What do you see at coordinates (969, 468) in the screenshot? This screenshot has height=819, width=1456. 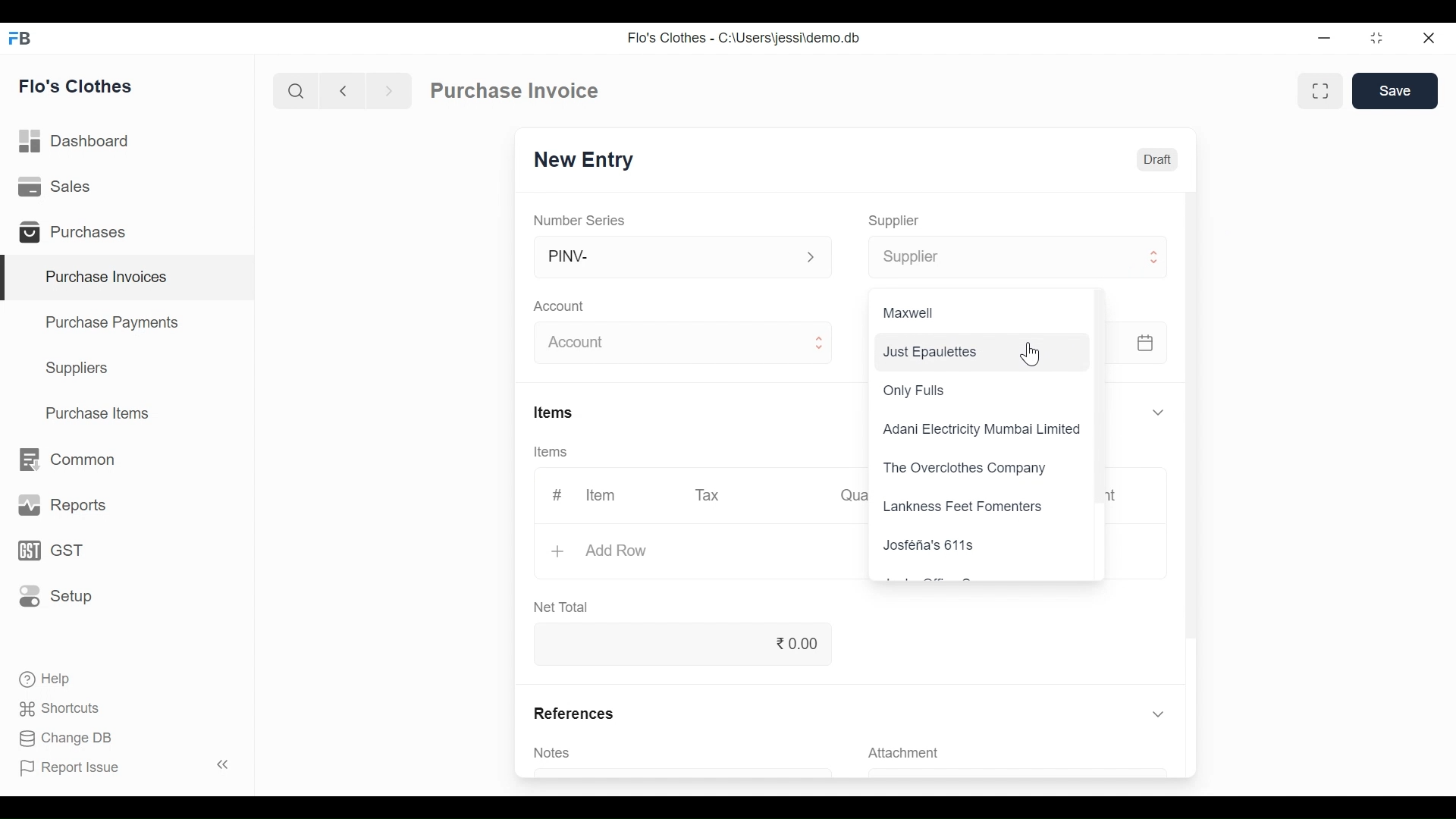 I see `The Overclothes Company` at bounding box center [969, 468].